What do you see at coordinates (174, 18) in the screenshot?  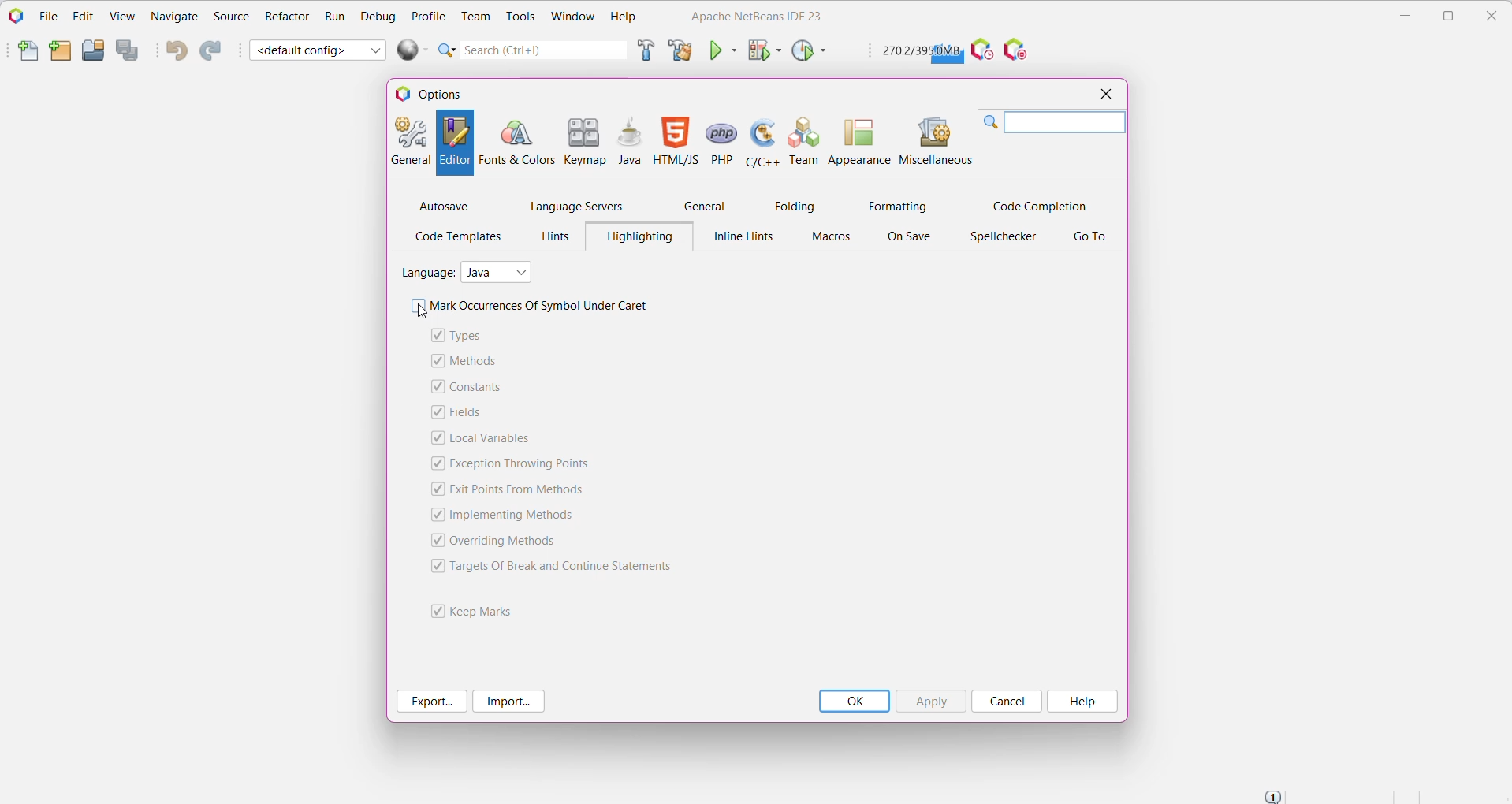 I see `Navigator` at bounding box center [174, 18].